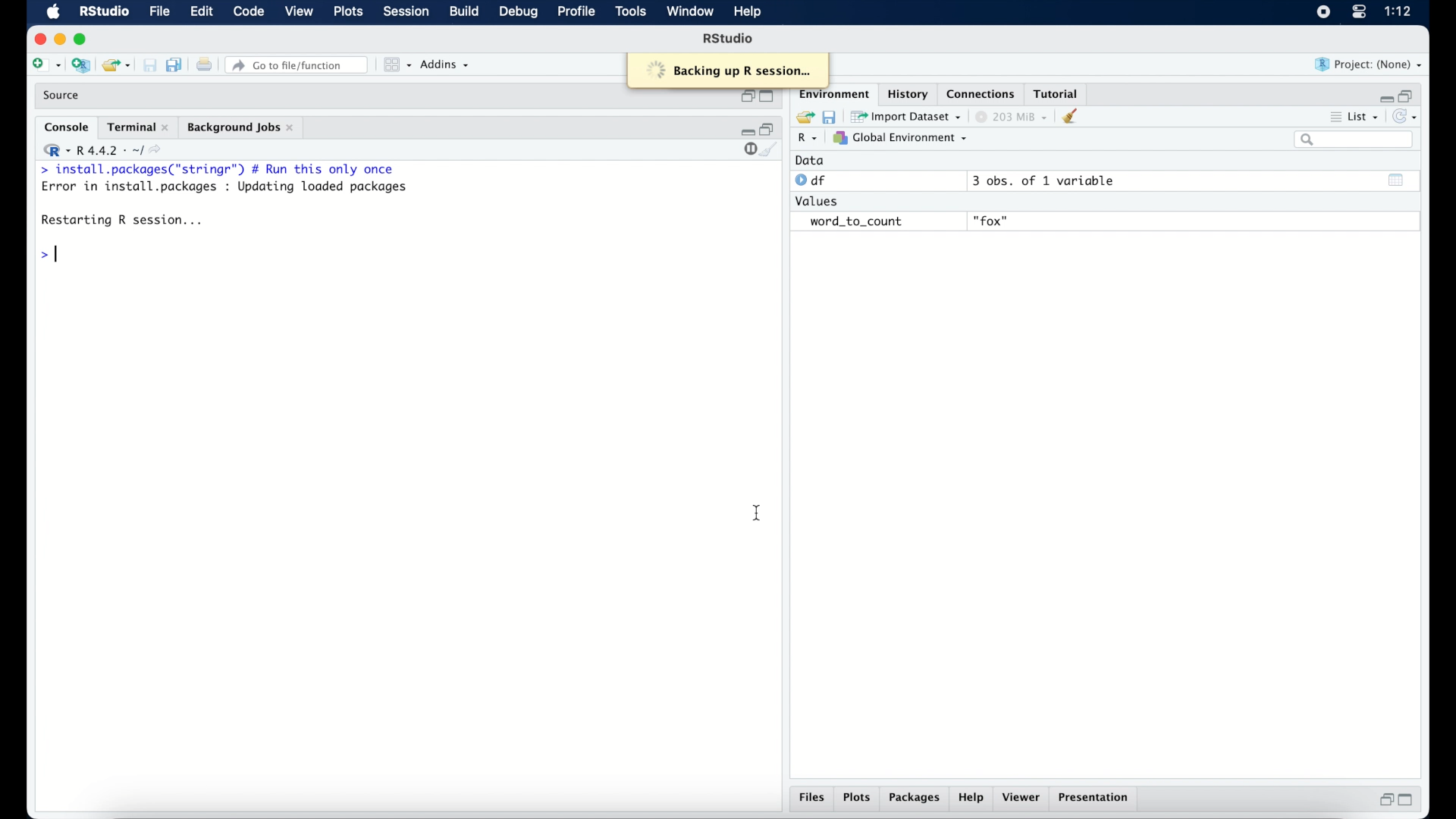 The image size is (1456, 819). Describe the element at coordinates (728, 39) in the screenshot. I see `R studio` at that location.